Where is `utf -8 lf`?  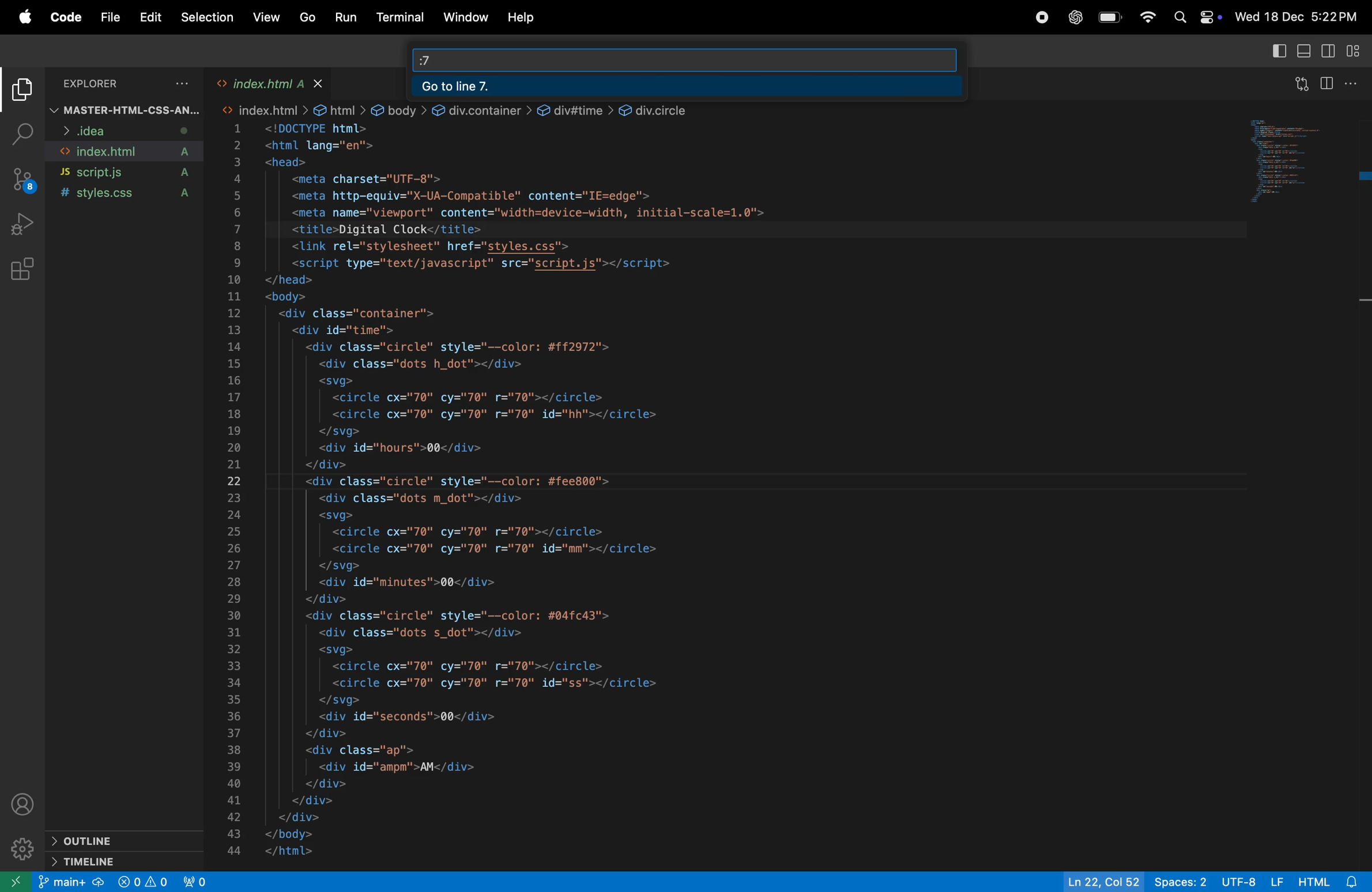
utf -8 lf is located at coordinates (1253, 880).